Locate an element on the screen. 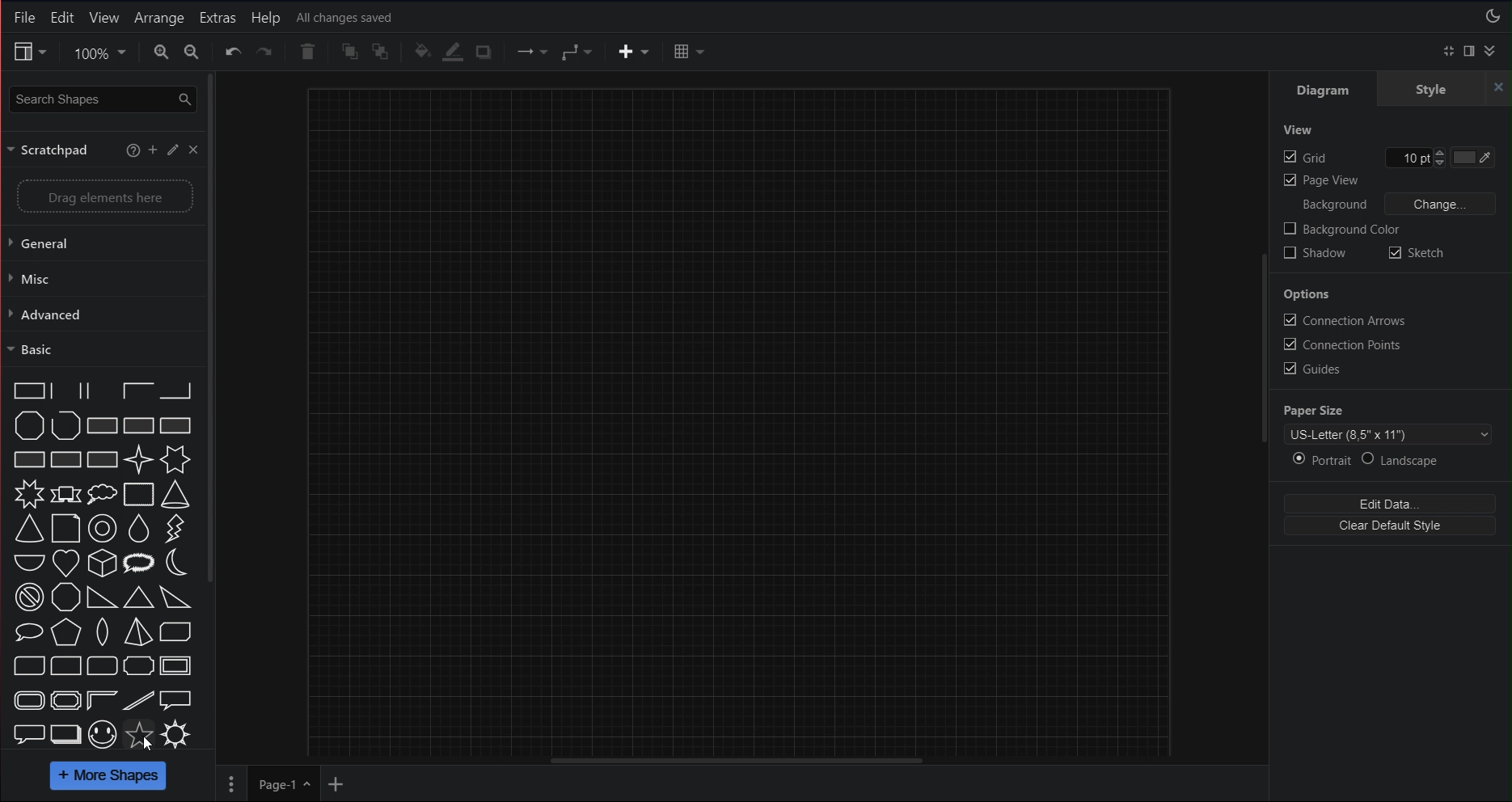  Misc is located at coordinates (99, 278).